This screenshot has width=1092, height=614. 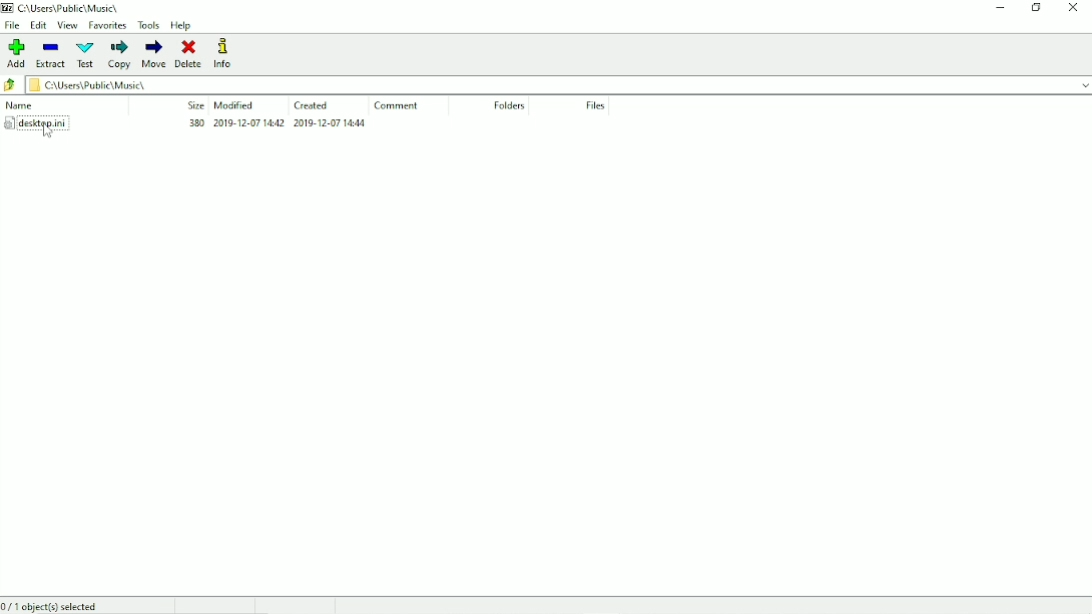 What do you see at coordinates (314, 105) in the screenshot?
I see `Created` at bounding box center [314, 105].